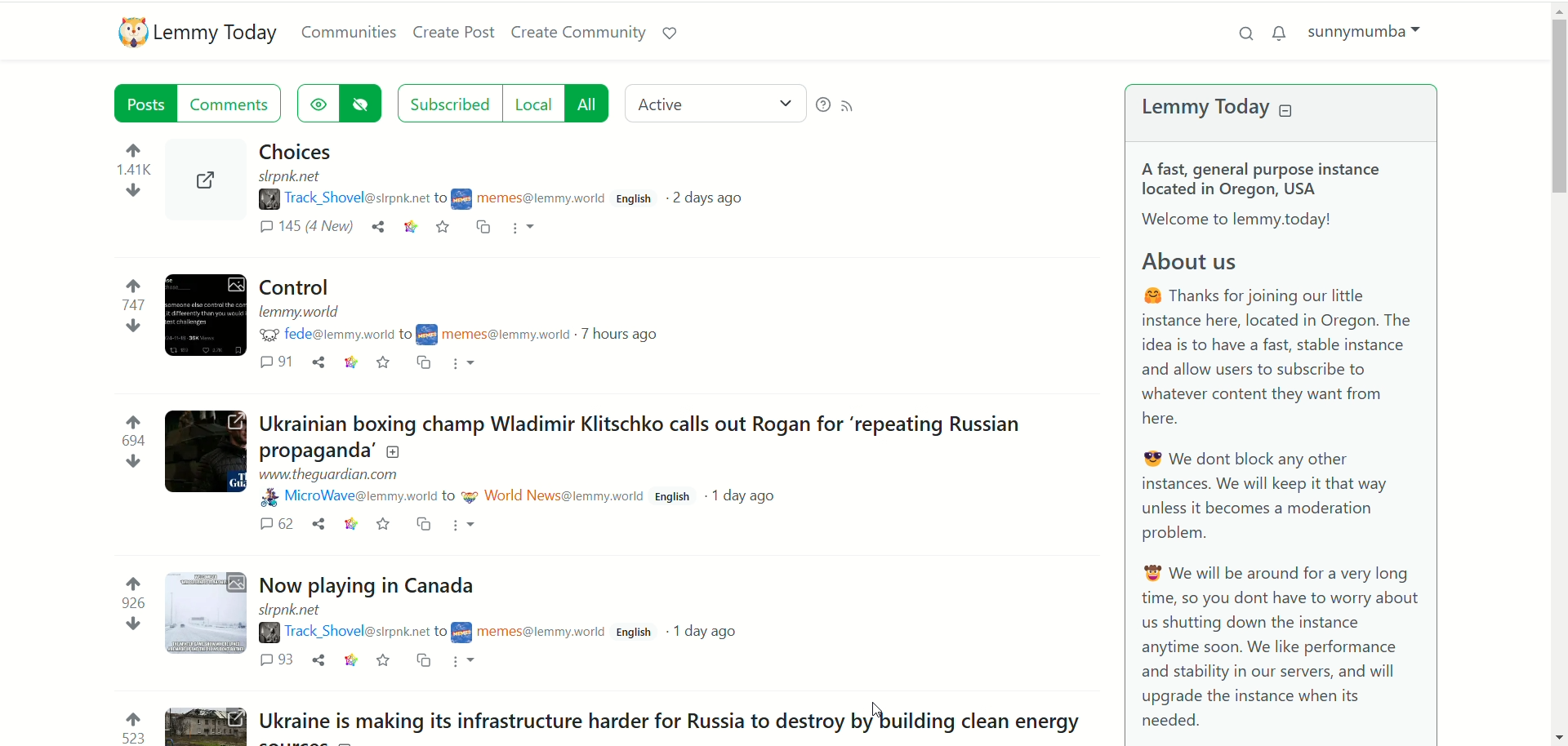  What do you see at coordinates (1555, 371) in the screenshot?
I see `vertical scroll bar` at bounding box center [1555, 371].